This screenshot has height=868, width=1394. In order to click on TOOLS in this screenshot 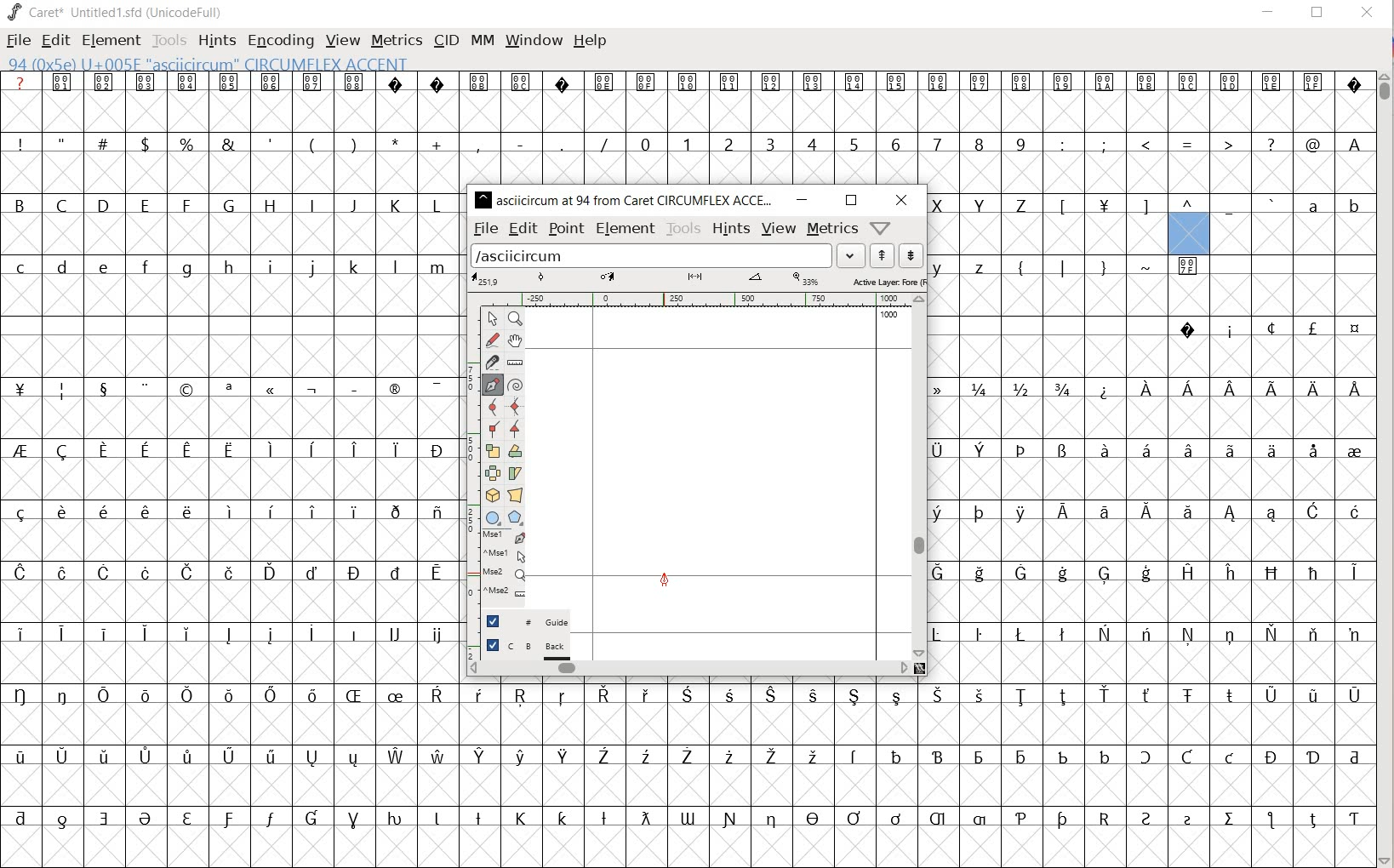, I will do `click(169, 40)`.